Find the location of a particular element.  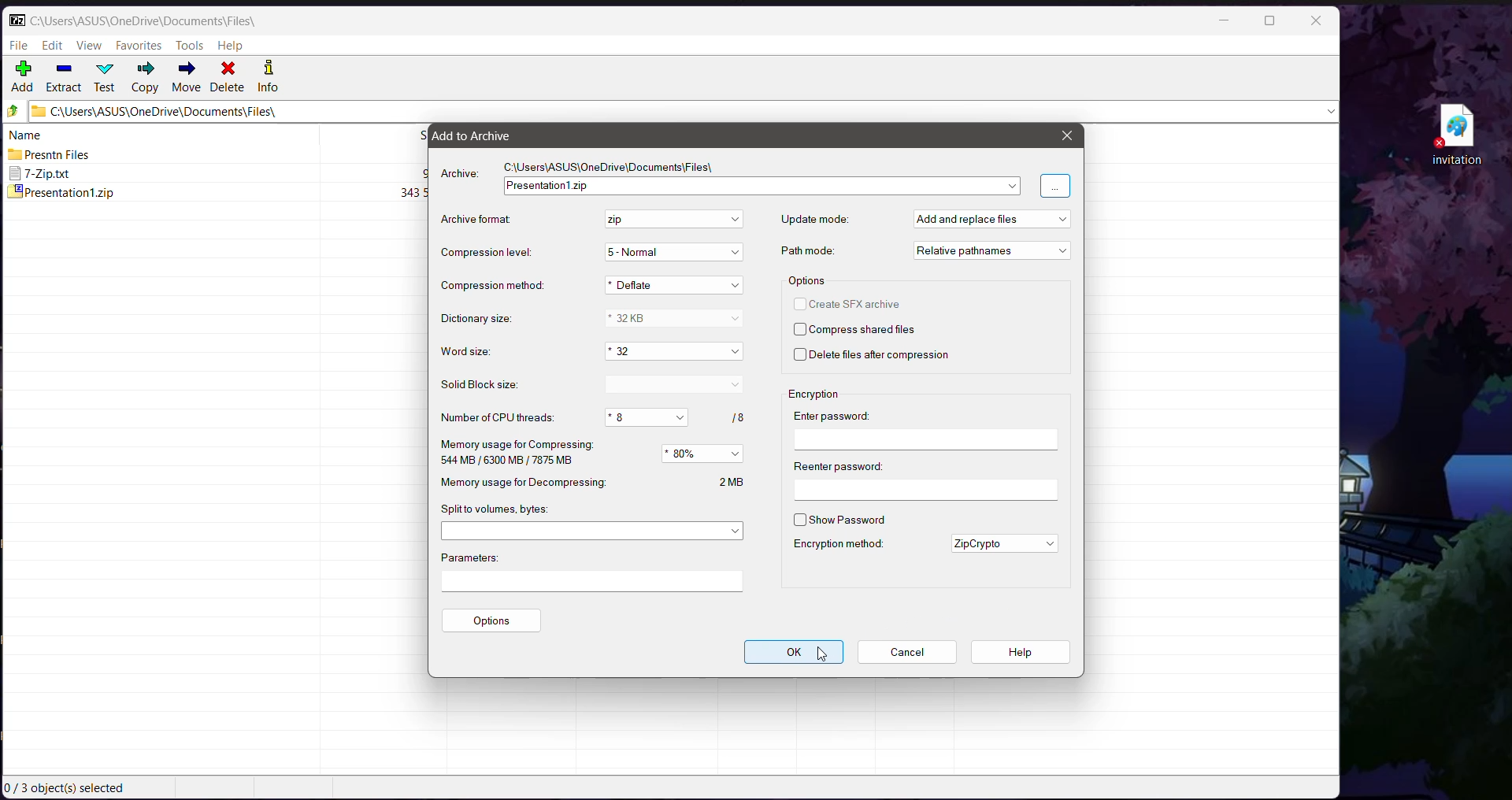

Delete files after compression - click to enable/disable is located at coordinates (876, 357).